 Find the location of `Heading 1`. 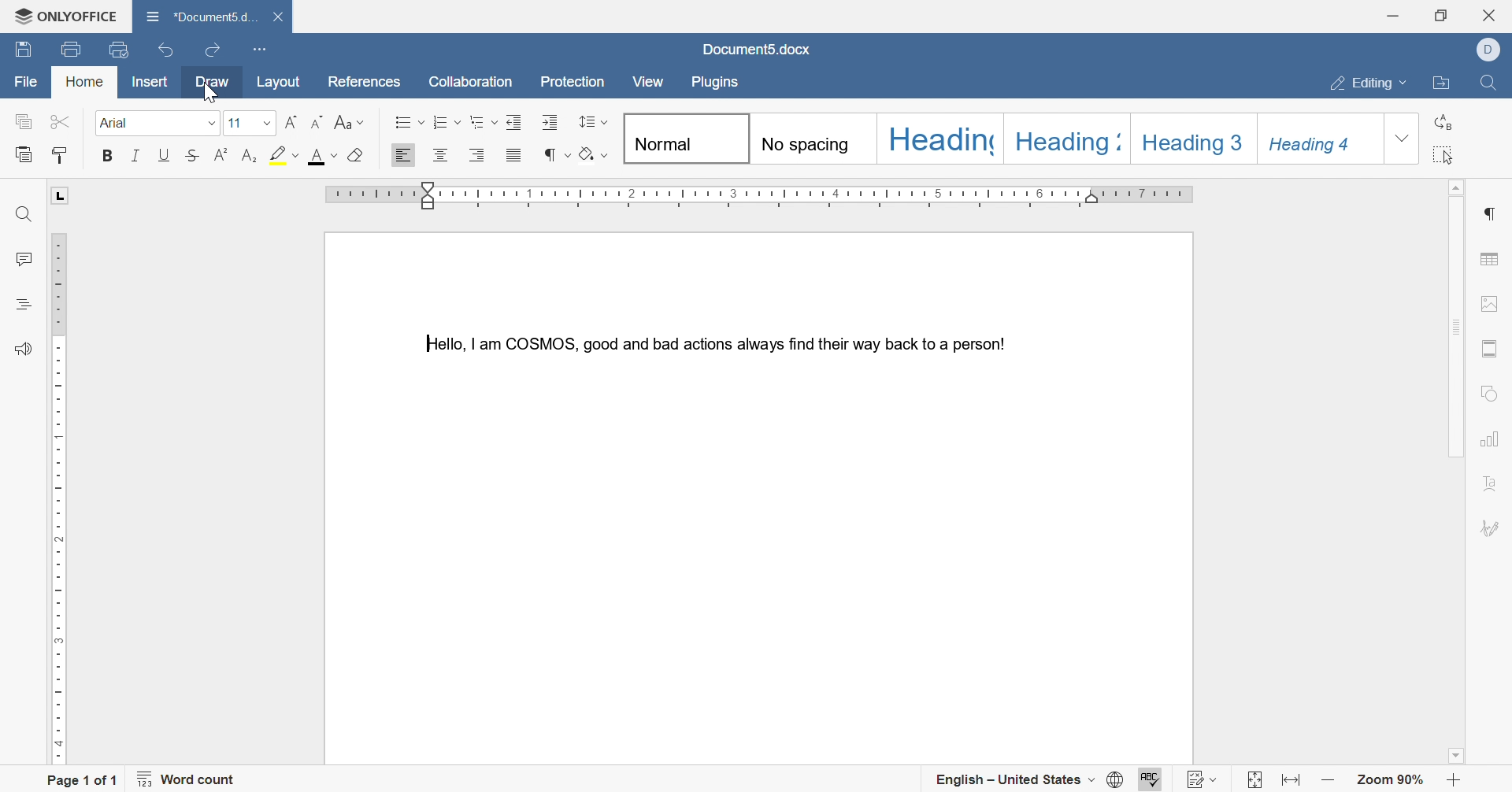

Heading 1 is located at coordinates (942, 138).